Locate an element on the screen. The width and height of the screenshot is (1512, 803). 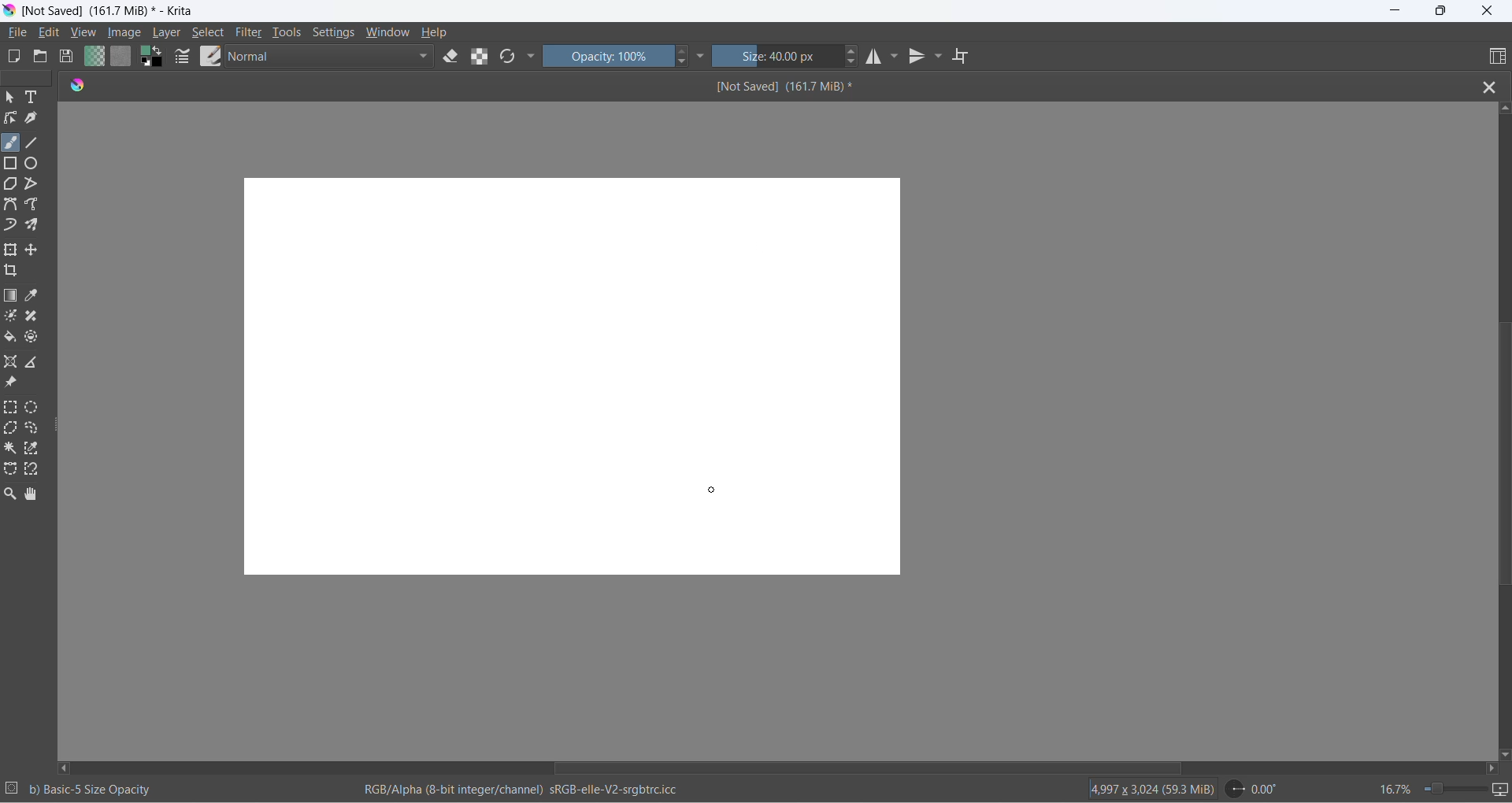
resize is located at coordinates (58, 428).